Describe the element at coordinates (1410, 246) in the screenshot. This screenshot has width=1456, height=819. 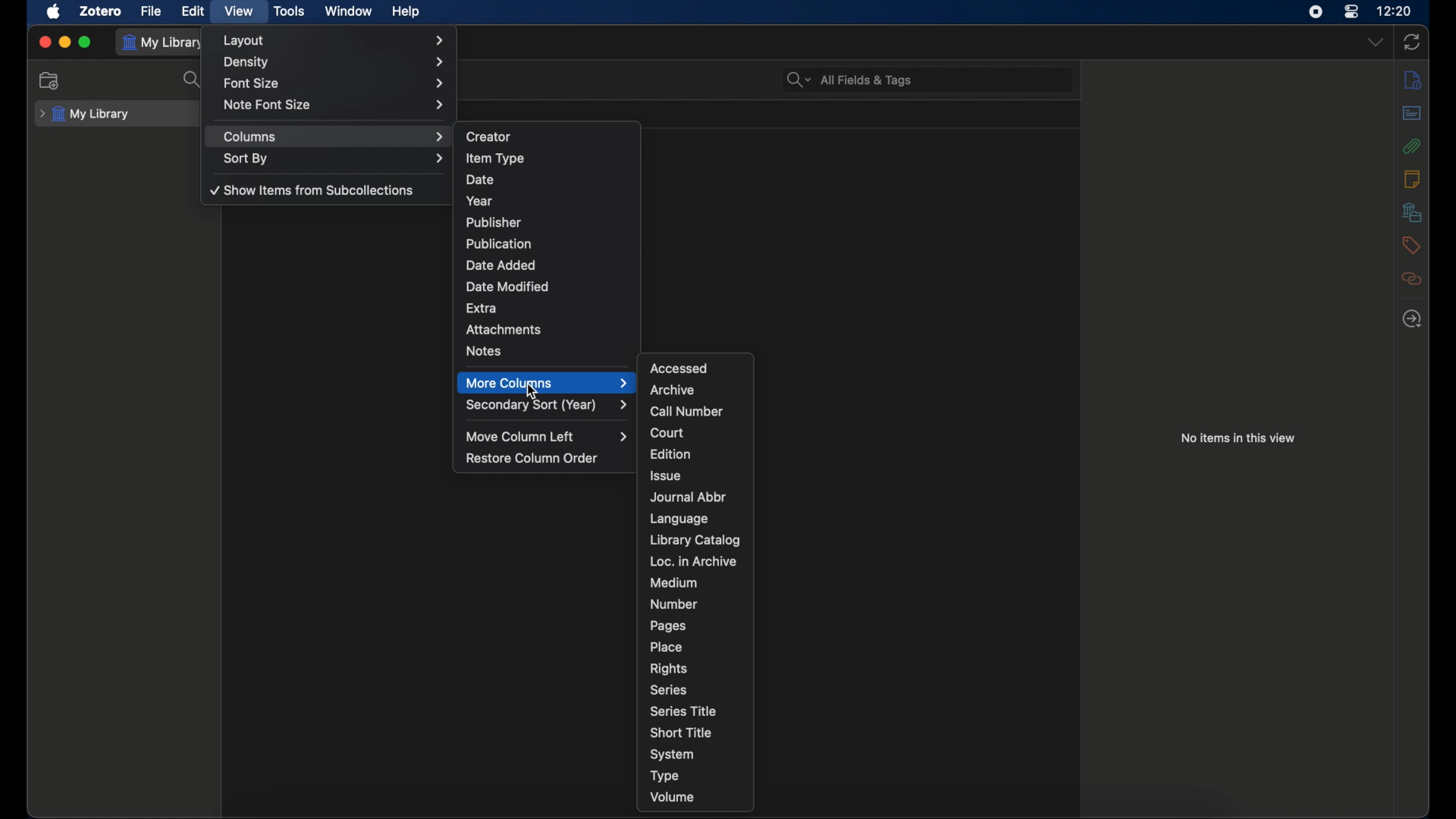
I see `tags` at that location.